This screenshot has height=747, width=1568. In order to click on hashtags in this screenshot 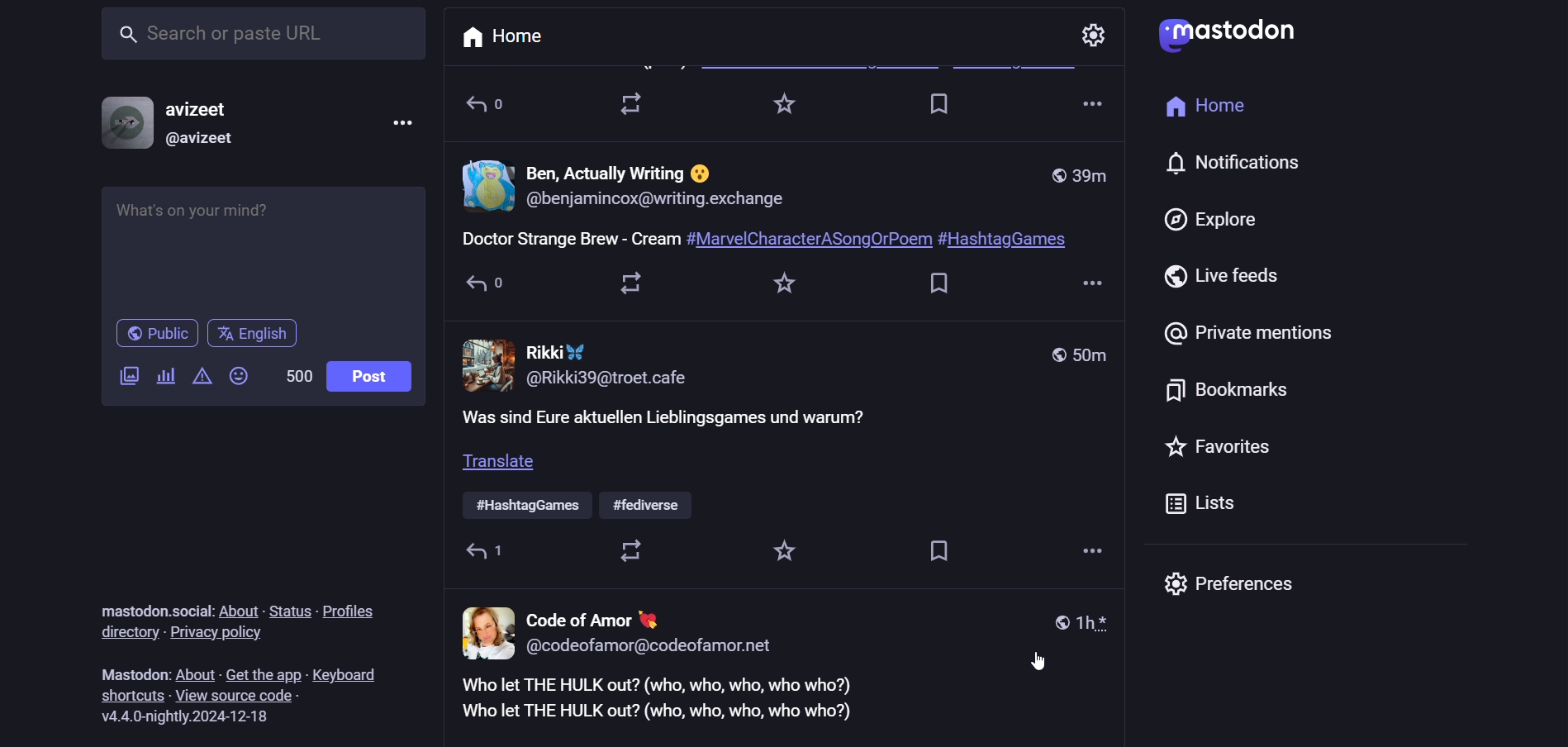, I will do `click(578, 505)`.